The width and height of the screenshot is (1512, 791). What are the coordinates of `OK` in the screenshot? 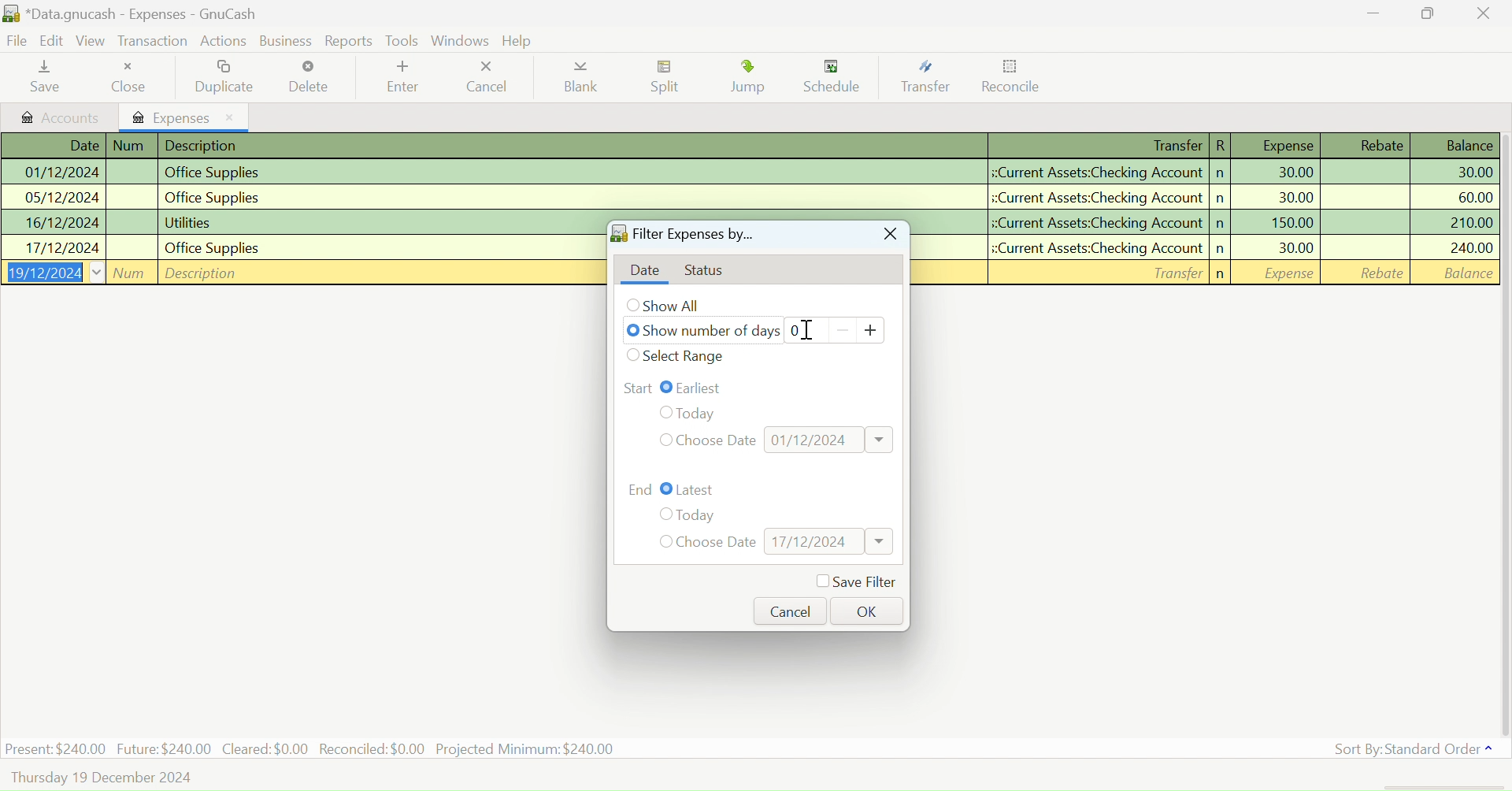 It's located at (864, 610).